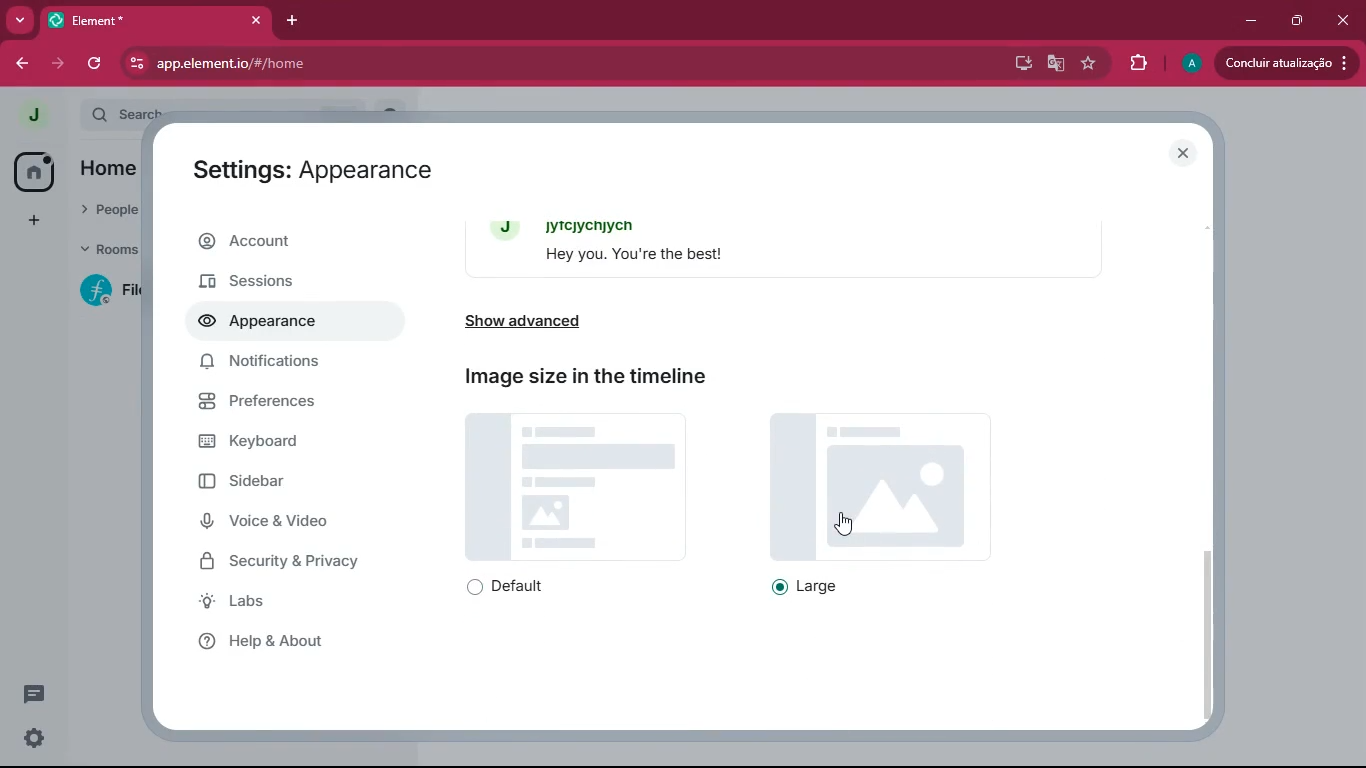 This screenshot has height=768, width=1366. Describe the element at coordinates (283, 280) in the screenshot. I see `sessions` at that location.